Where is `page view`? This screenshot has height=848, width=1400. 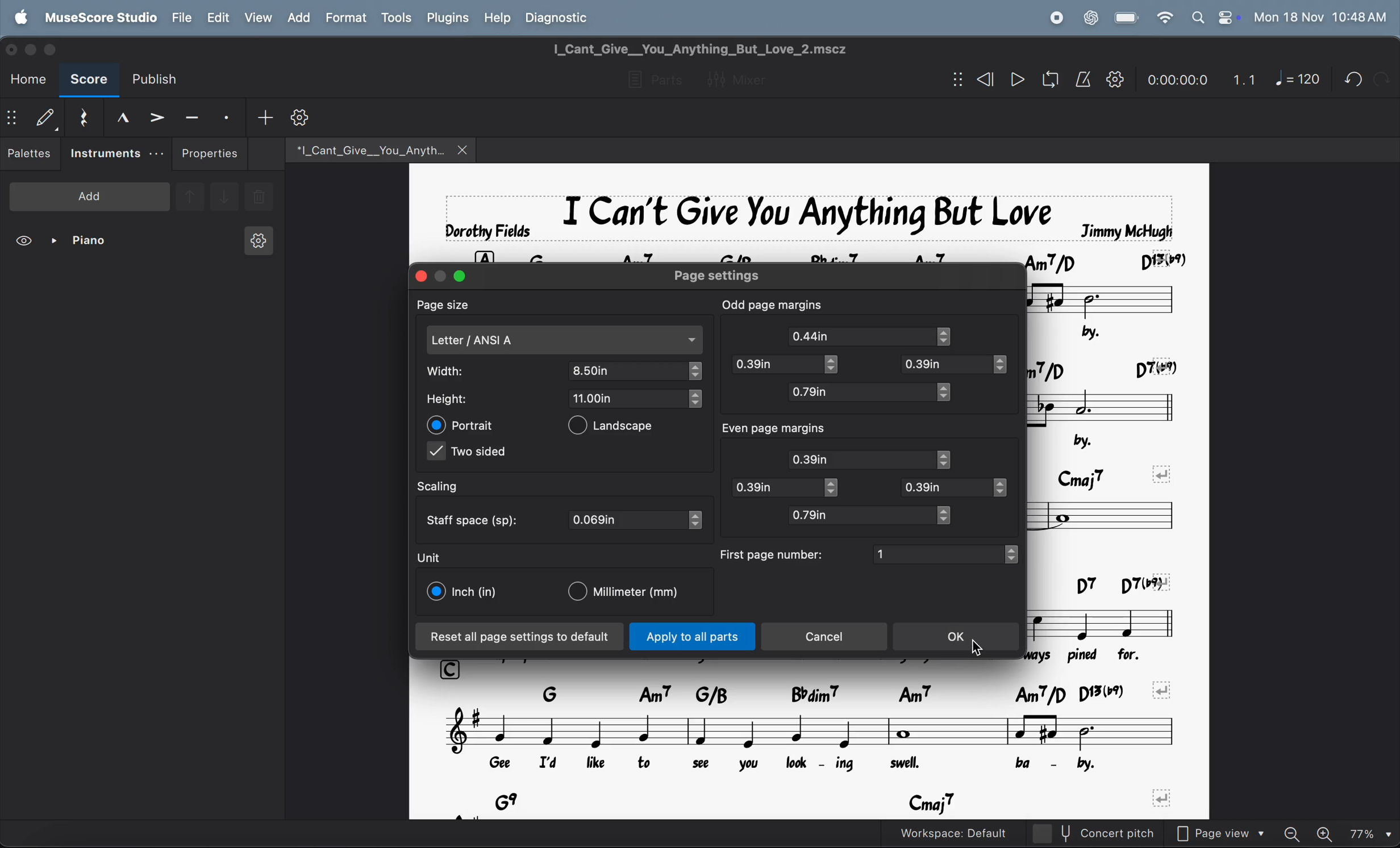 page view is located at coordinates (1226, 832).